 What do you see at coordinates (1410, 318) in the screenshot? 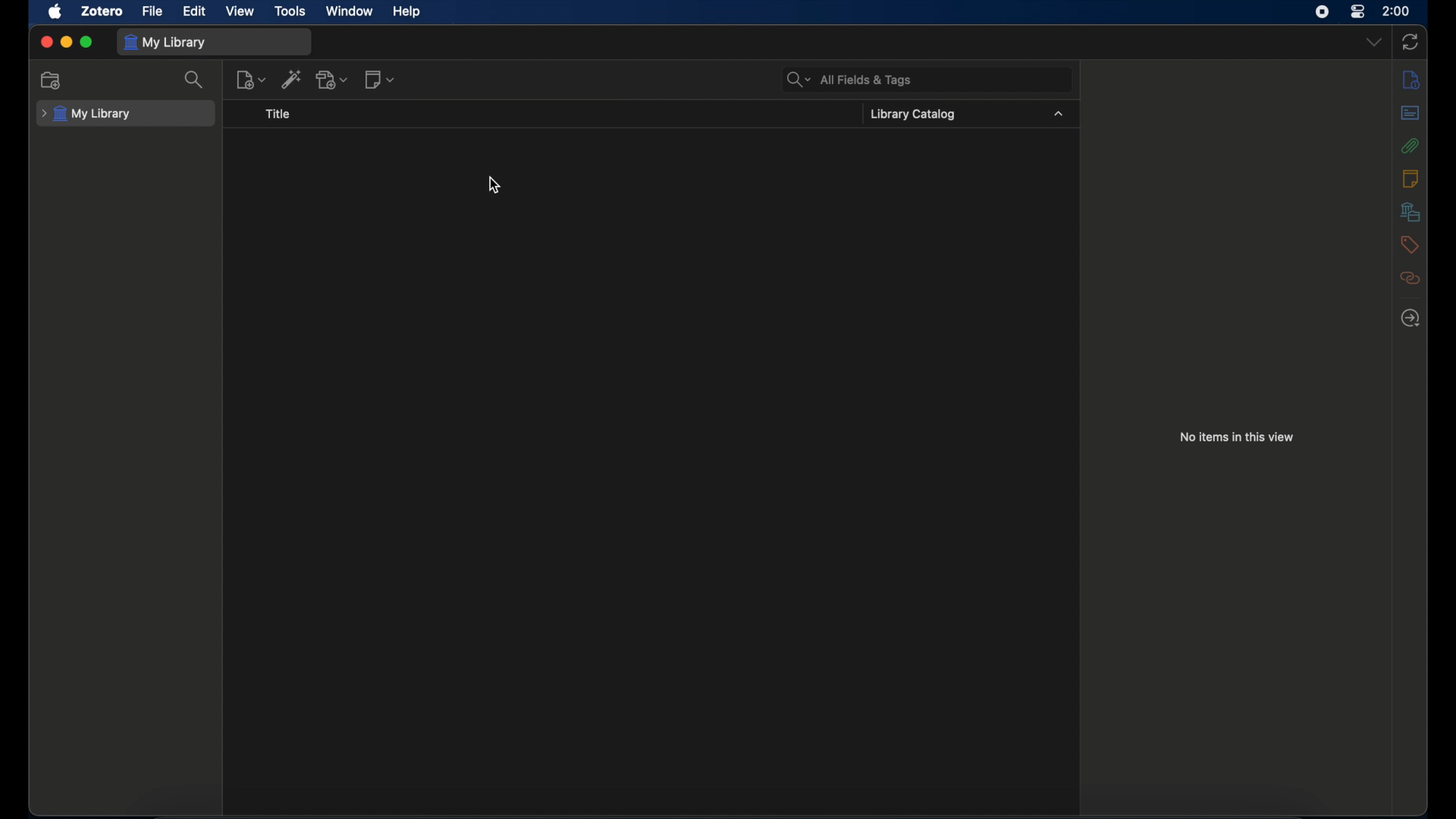
I see `locate` at bounding box center [1410, 318].